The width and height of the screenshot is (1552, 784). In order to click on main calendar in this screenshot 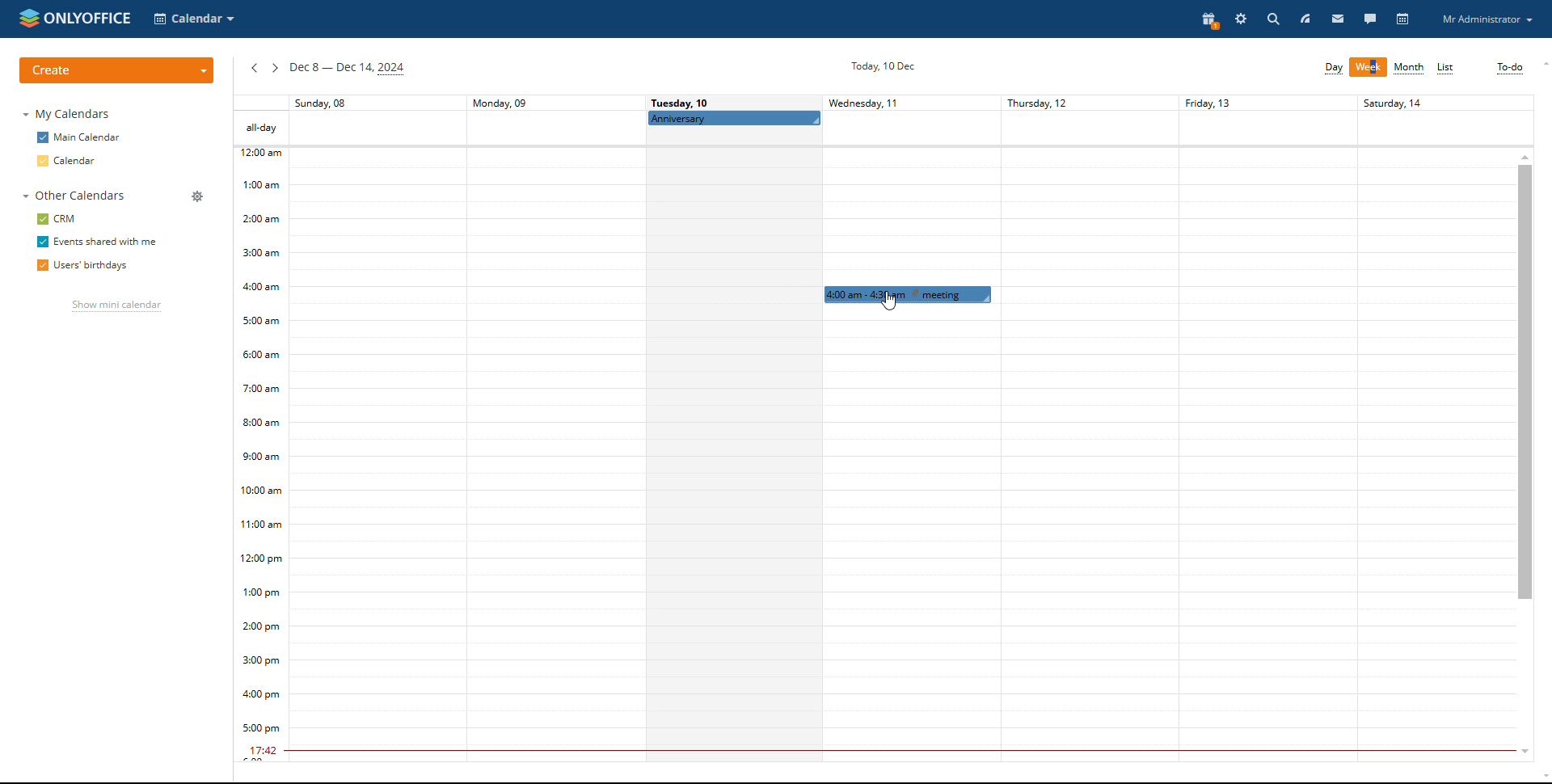, I will do `click(78, 137)`.